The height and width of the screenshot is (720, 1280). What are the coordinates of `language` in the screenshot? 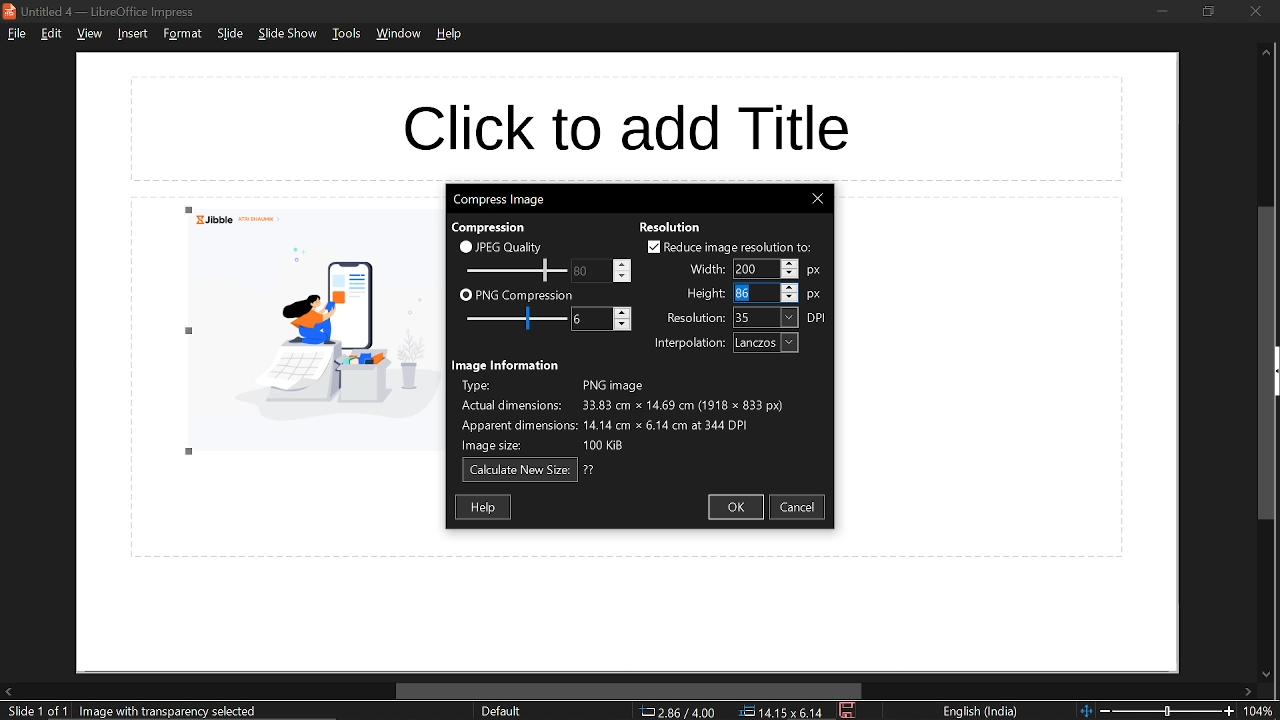 It's located at (981, 712).